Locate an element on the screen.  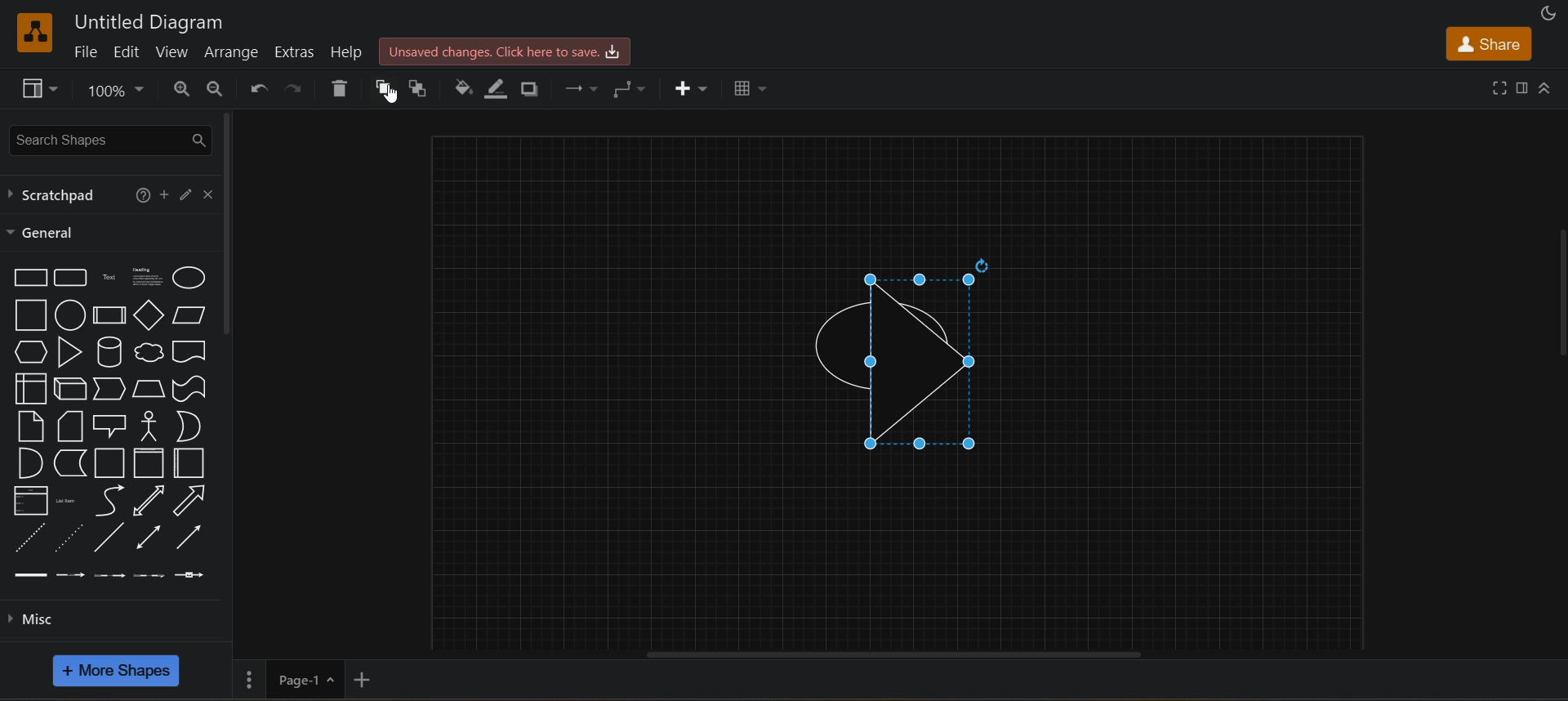
misc is located at coordinates (42, 620).